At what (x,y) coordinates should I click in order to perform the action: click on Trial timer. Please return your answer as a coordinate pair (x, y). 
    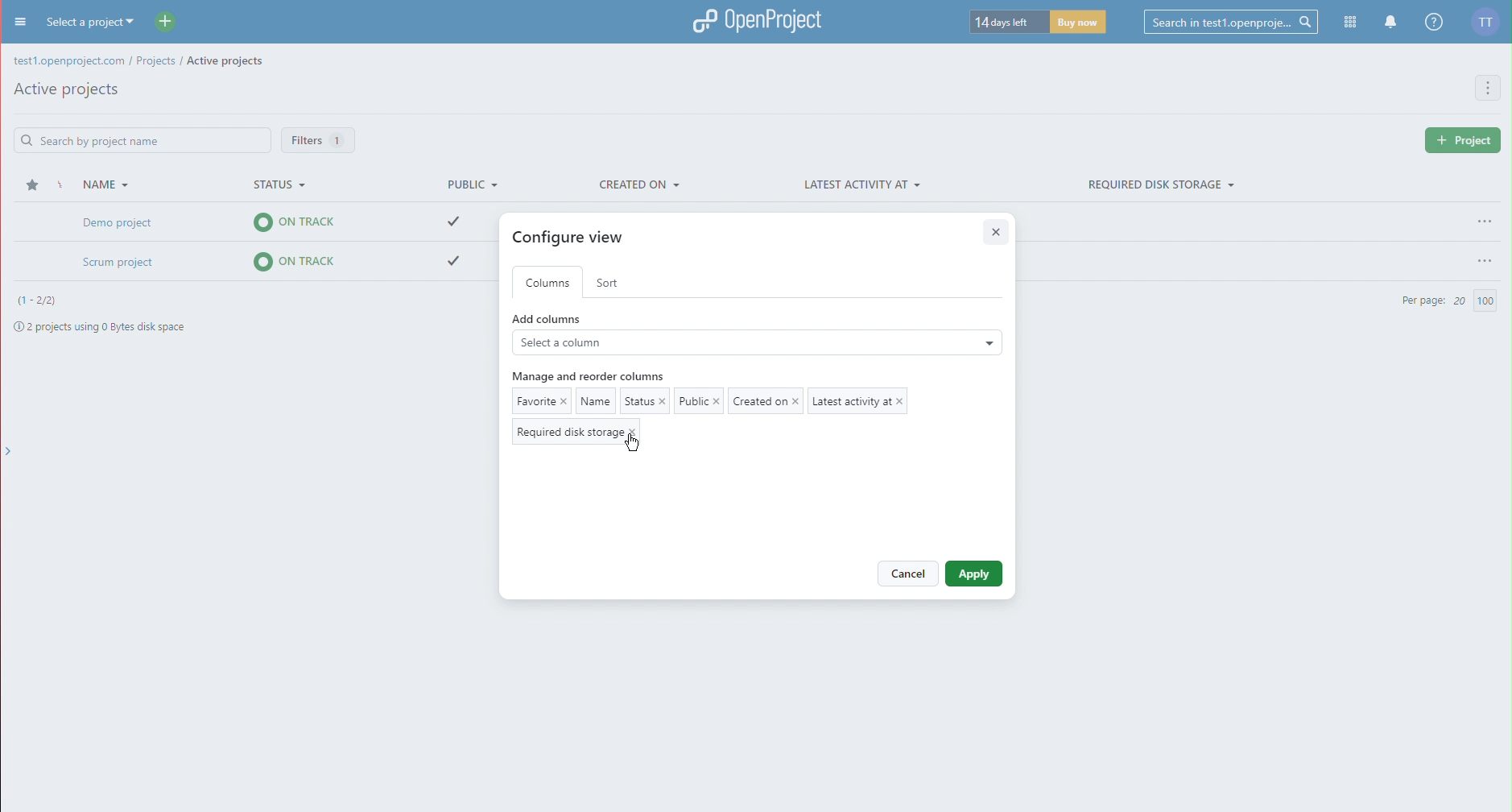
    Looking at the image, I should click on (1039, 24).